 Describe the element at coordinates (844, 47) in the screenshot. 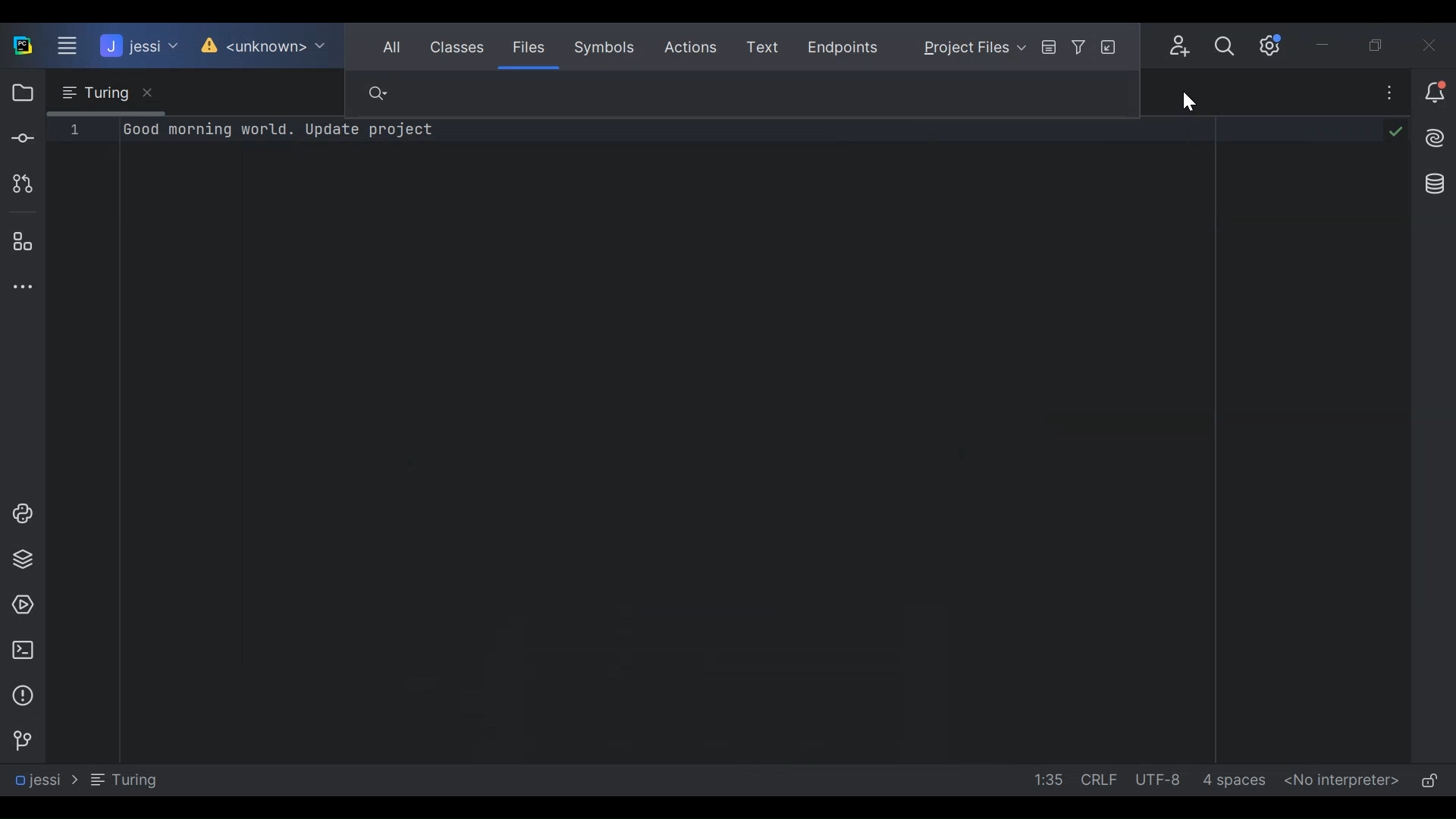

I see `Endpoints` at that location.